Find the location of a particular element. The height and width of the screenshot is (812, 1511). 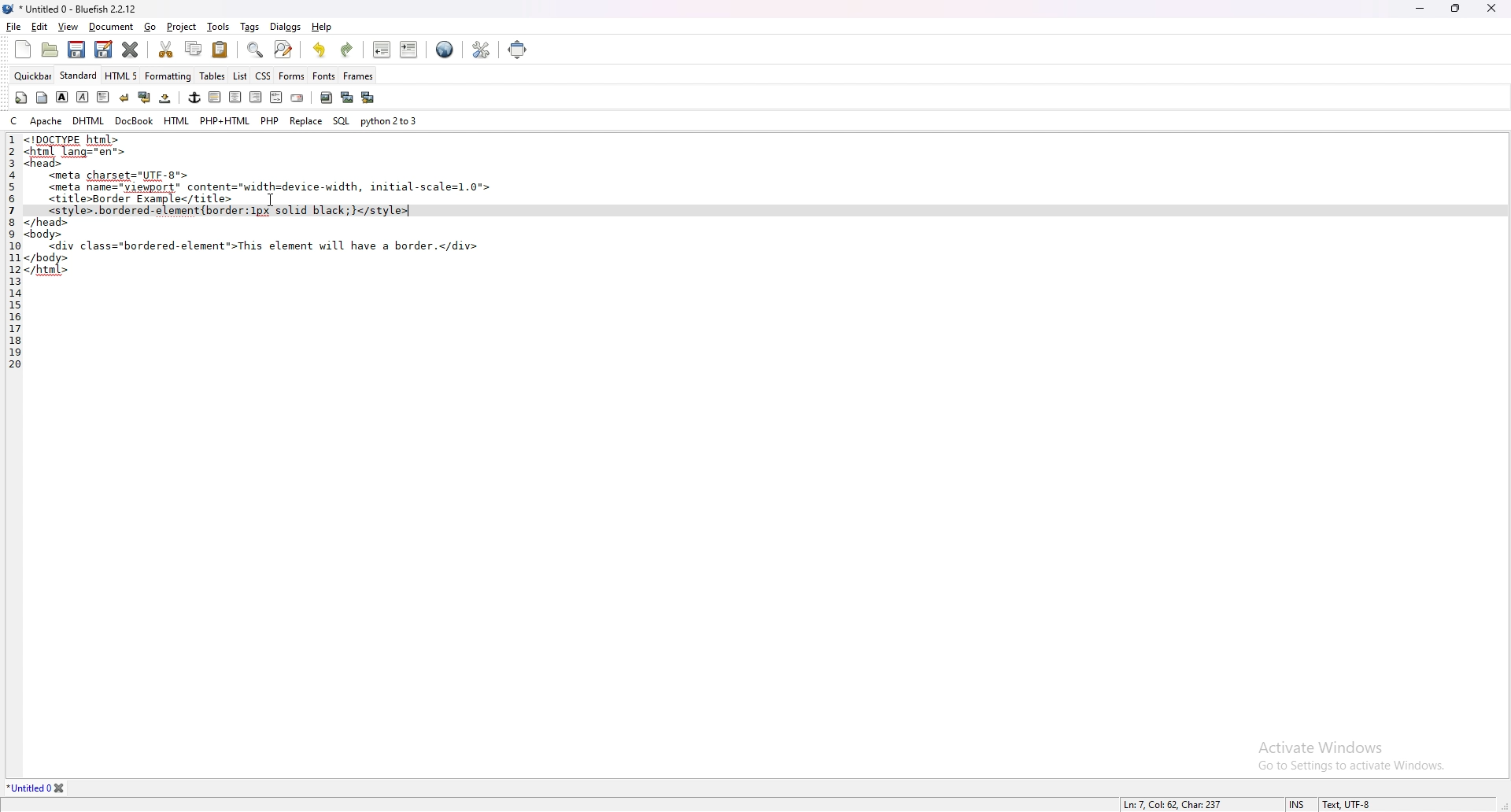

body is located at coordinates (42, 98).